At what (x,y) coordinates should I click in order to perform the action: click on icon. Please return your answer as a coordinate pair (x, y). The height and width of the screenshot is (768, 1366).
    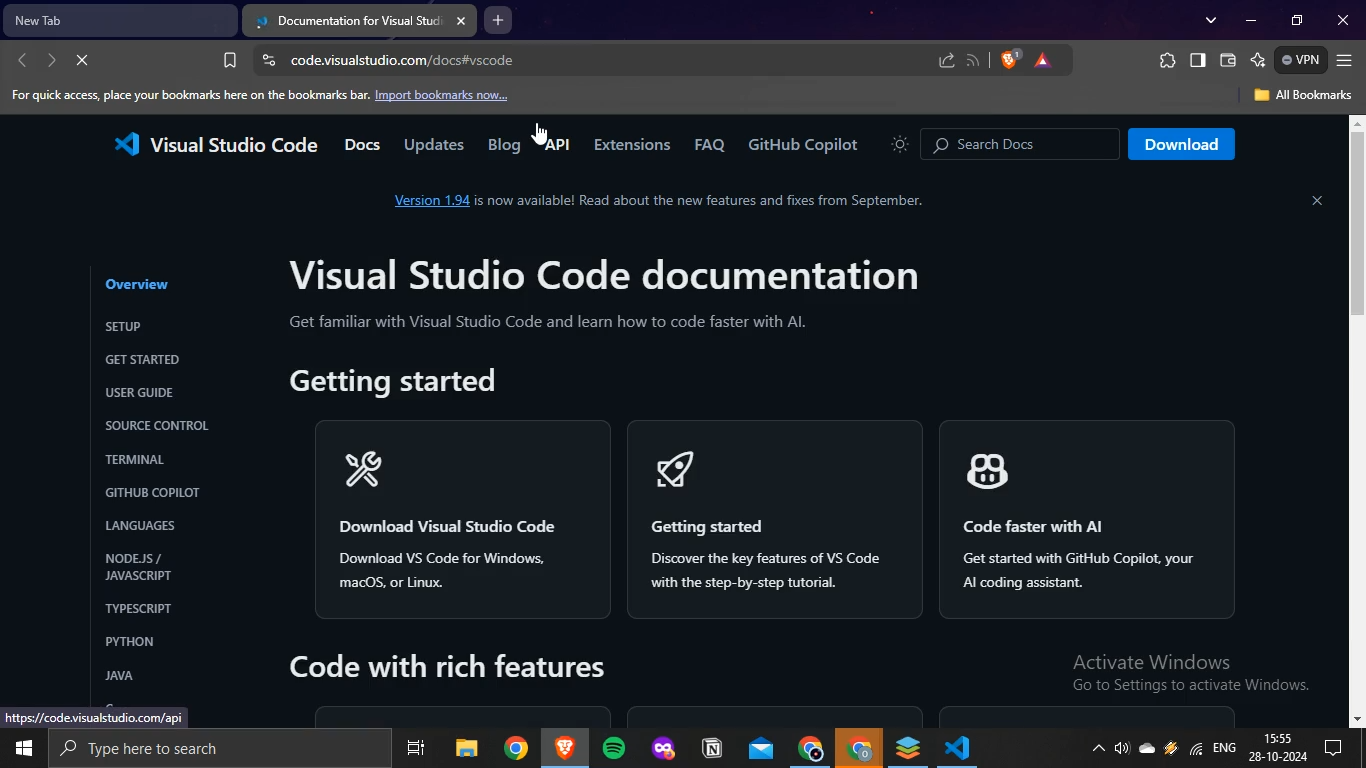
    Looking at the image, I should click on (903, 144).